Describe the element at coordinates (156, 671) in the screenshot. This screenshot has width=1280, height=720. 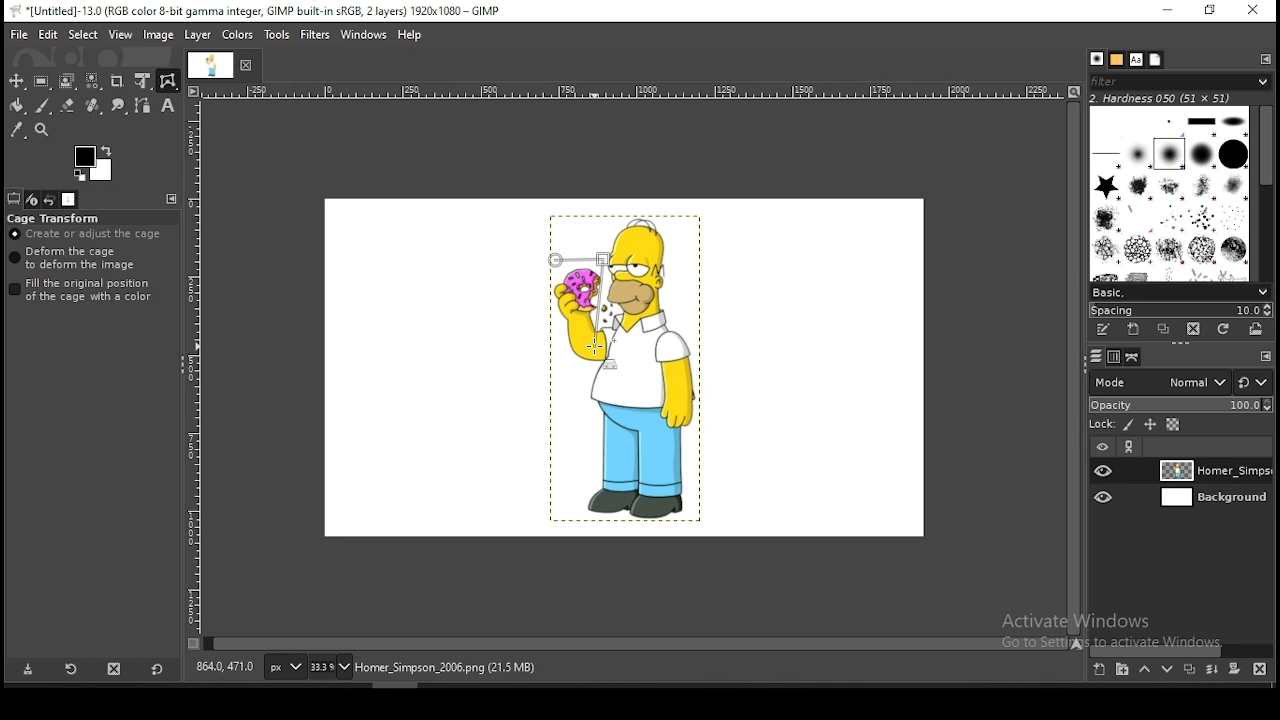
I see `reset` at that location.